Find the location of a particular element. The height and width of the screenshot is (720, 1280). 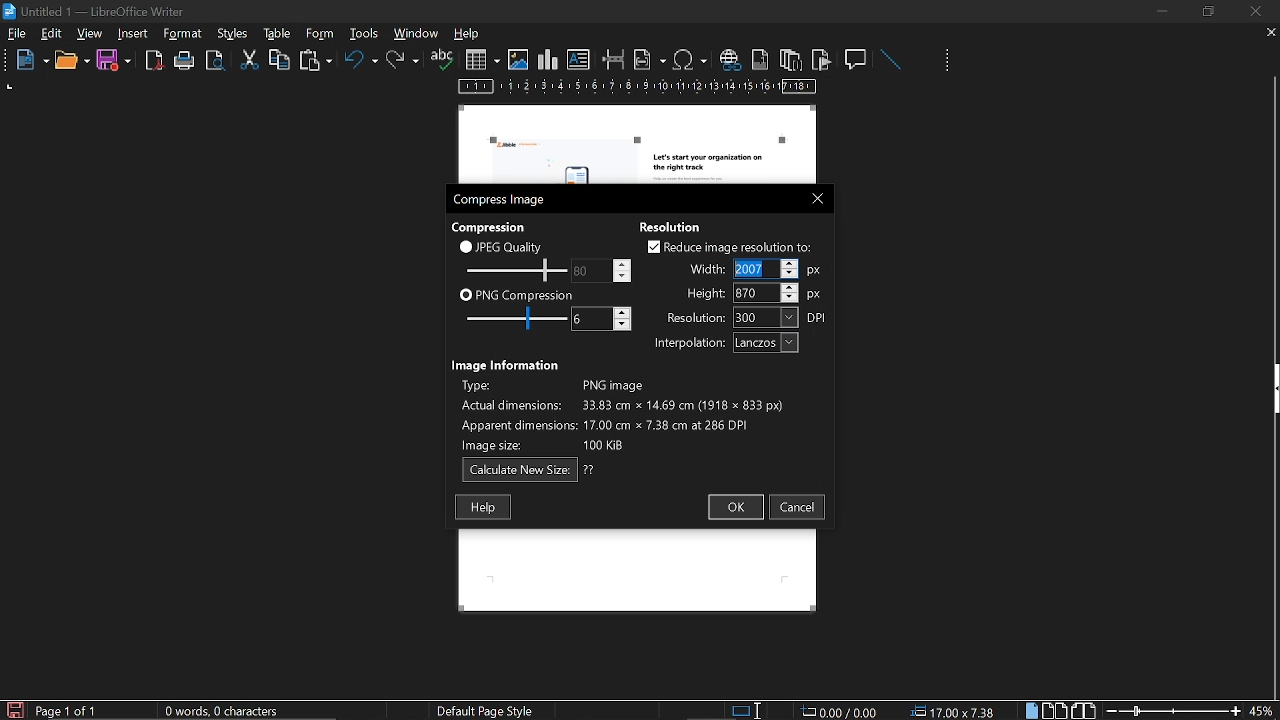

form is located at coordinates (366, 33).